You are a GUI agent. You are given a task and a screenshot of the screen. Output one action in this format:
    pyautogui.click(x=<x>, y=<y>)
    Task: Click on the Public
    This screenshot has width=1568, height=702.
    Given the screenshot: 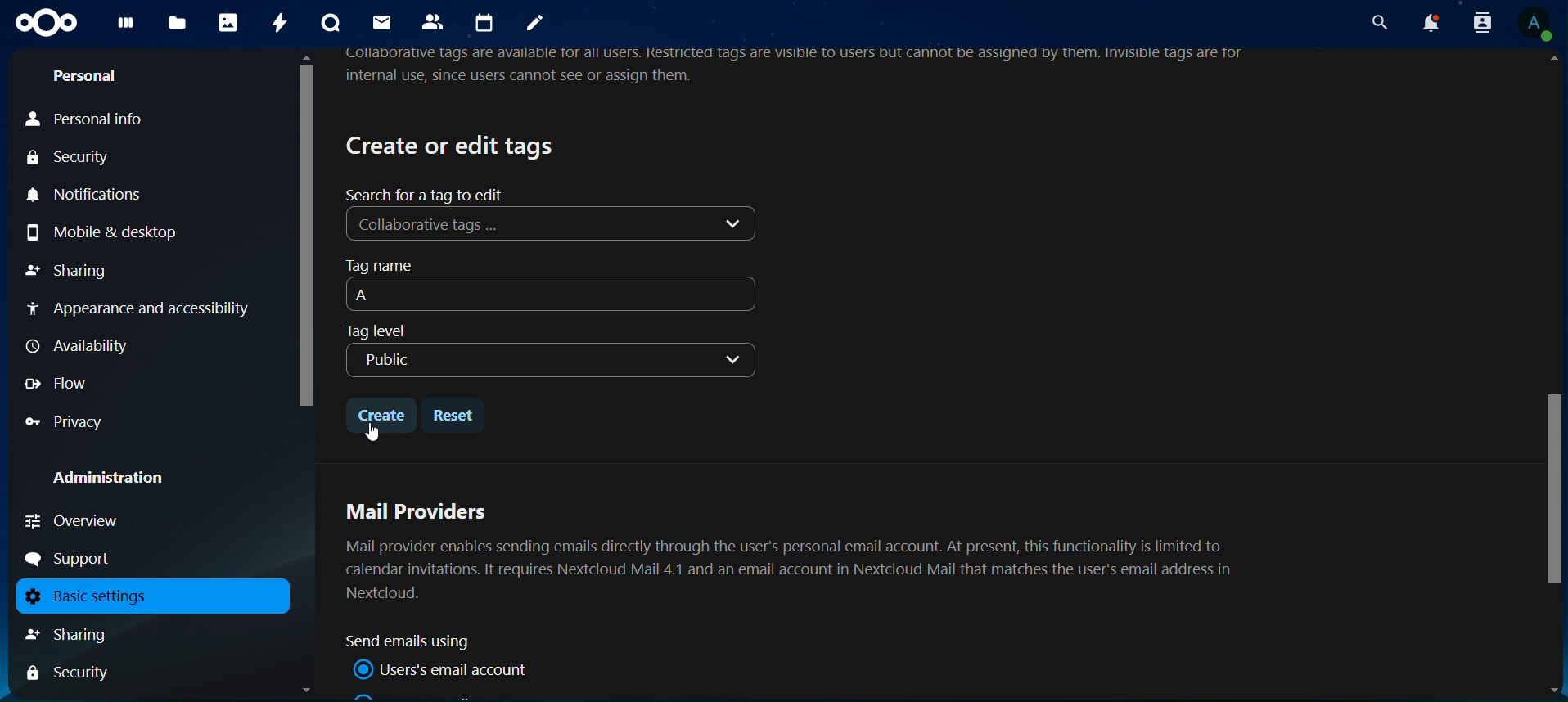 What is the action you would take?
    pyautogui.click(x=549, y=359)
    